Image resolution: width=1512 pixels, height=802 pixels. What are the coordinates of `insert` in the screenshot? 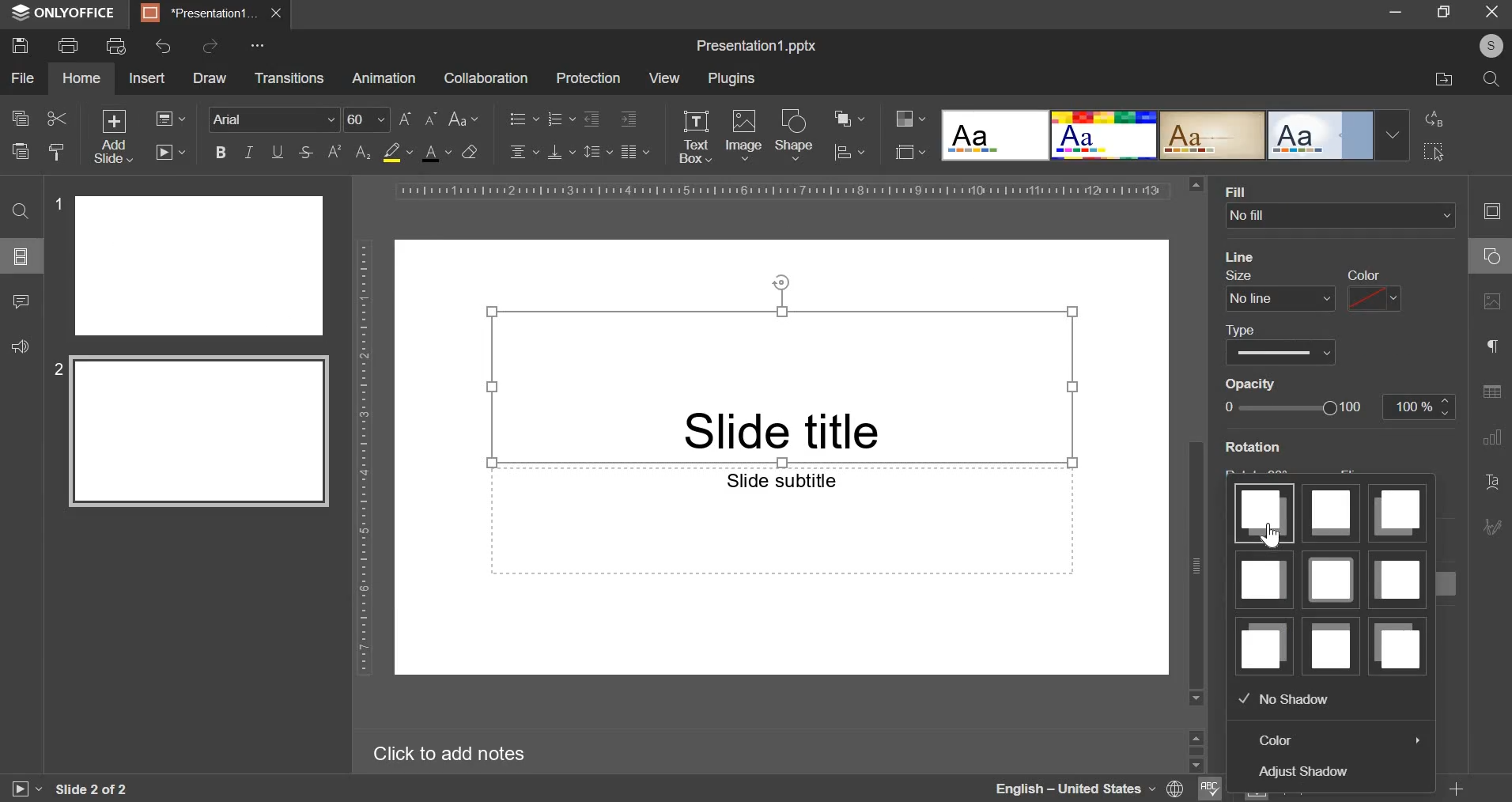 It's located at (146, 77).